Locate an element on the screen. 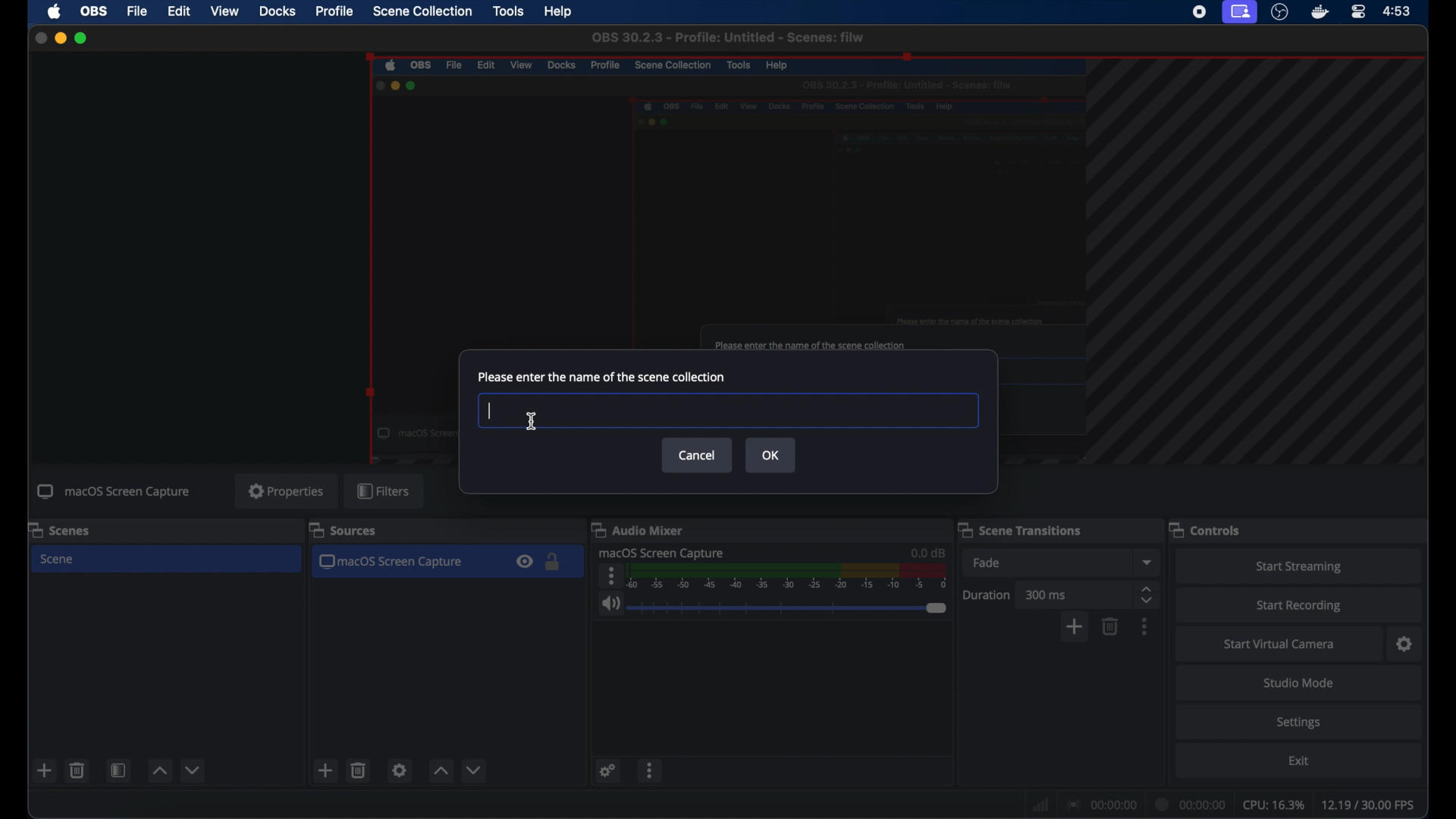 This screenshot has height=819, width=1456. profile is located at coordinates (334, 12).